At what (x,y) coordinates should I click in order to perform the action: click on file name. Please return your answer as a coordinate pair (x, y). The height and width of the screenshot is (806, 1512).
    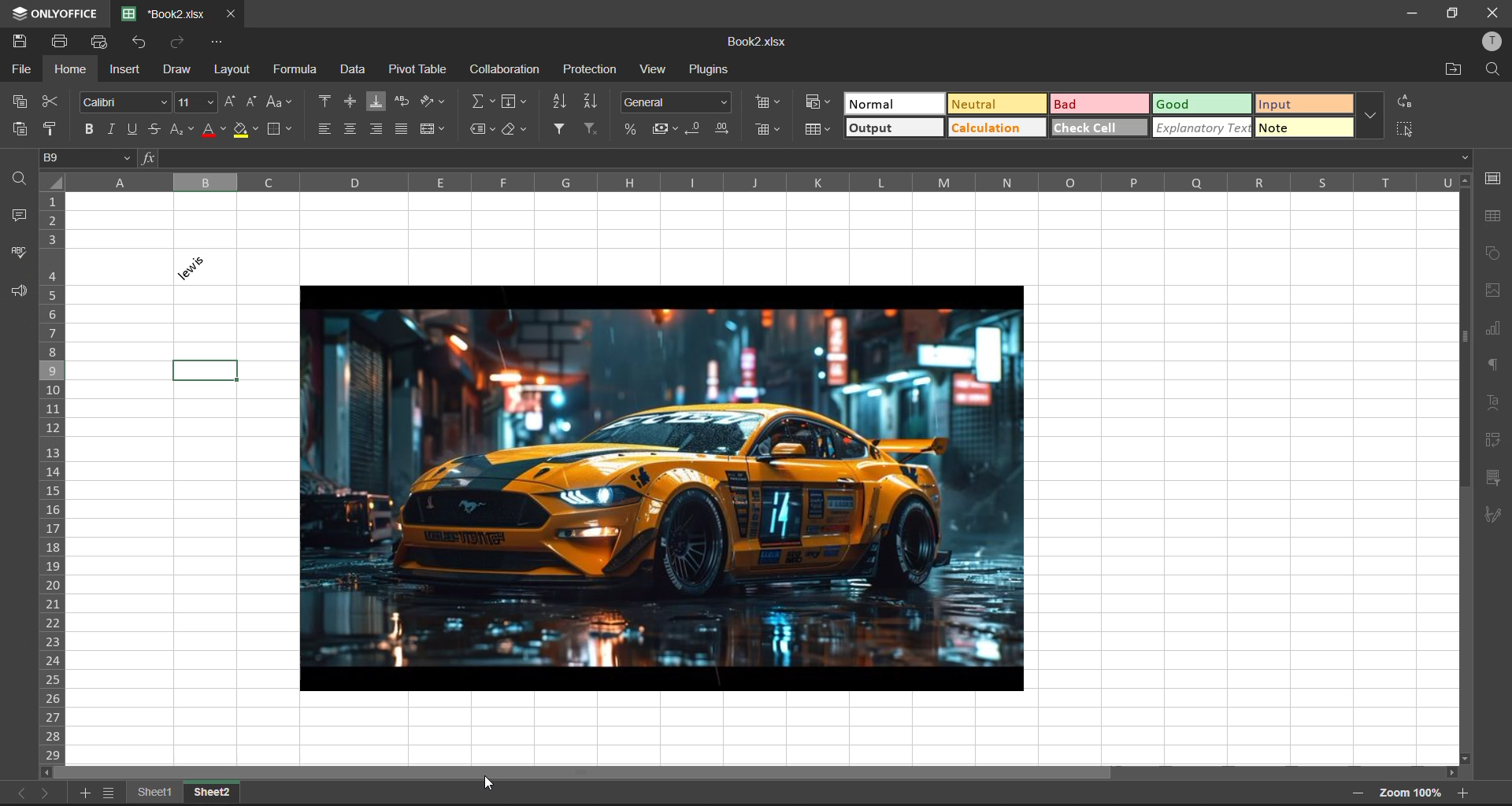
    Looking at the image, I should click on (756, 40).